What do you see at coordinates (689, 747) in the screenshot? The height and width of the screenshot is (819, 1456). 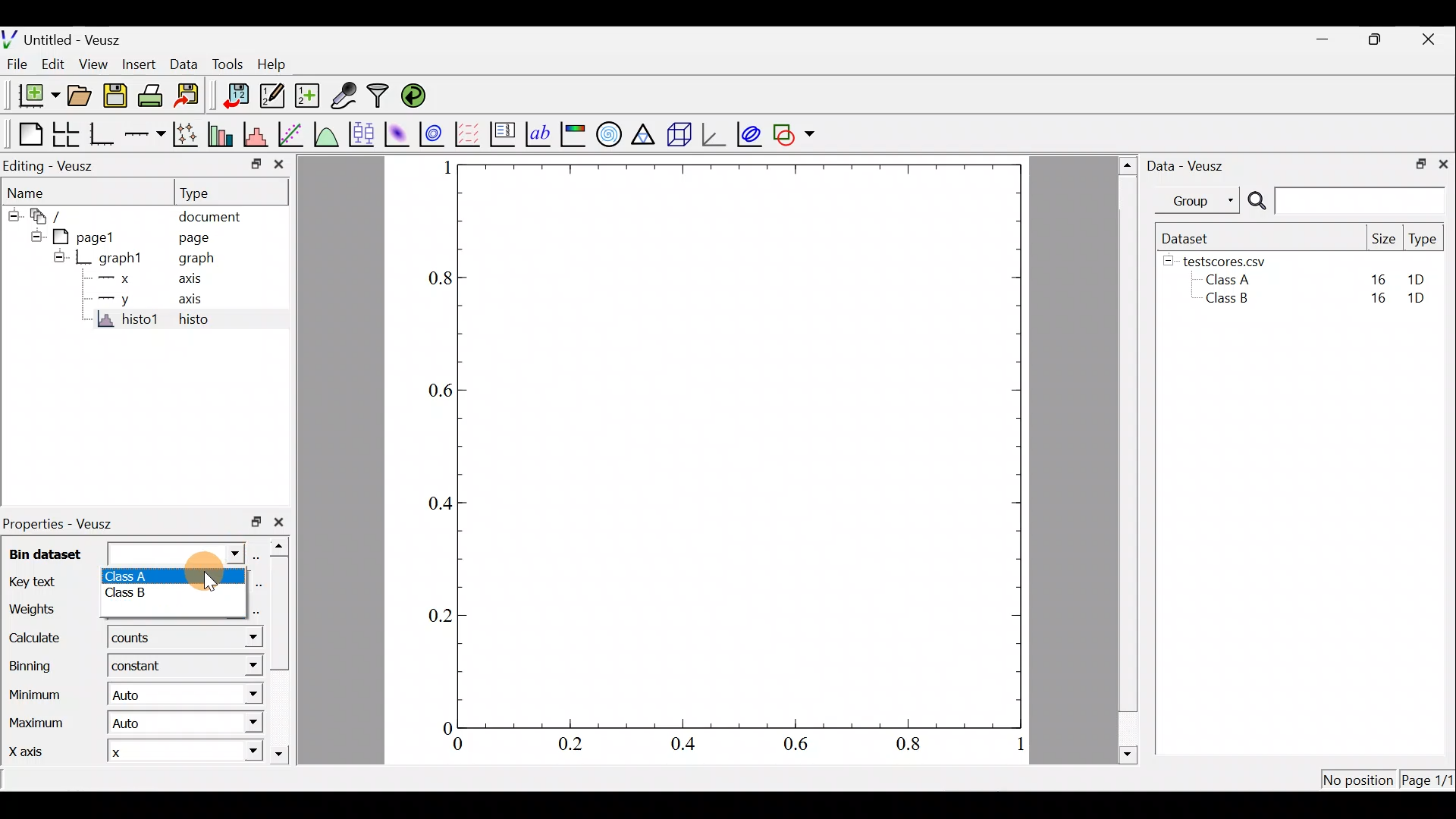 I see `0.4` at bounding box center [689, 747].